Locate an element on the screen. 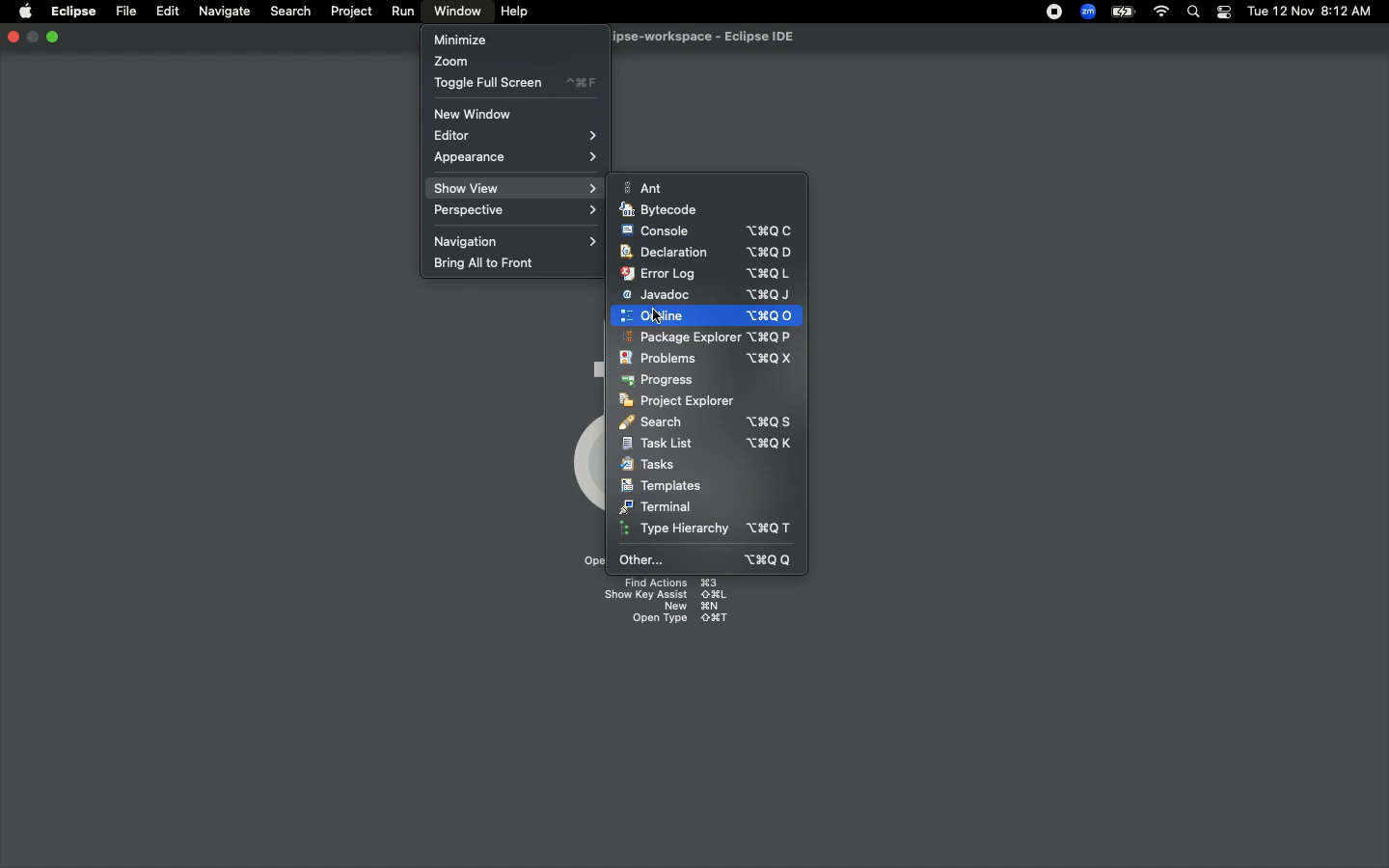  Other is located at coordinates (702, 559).